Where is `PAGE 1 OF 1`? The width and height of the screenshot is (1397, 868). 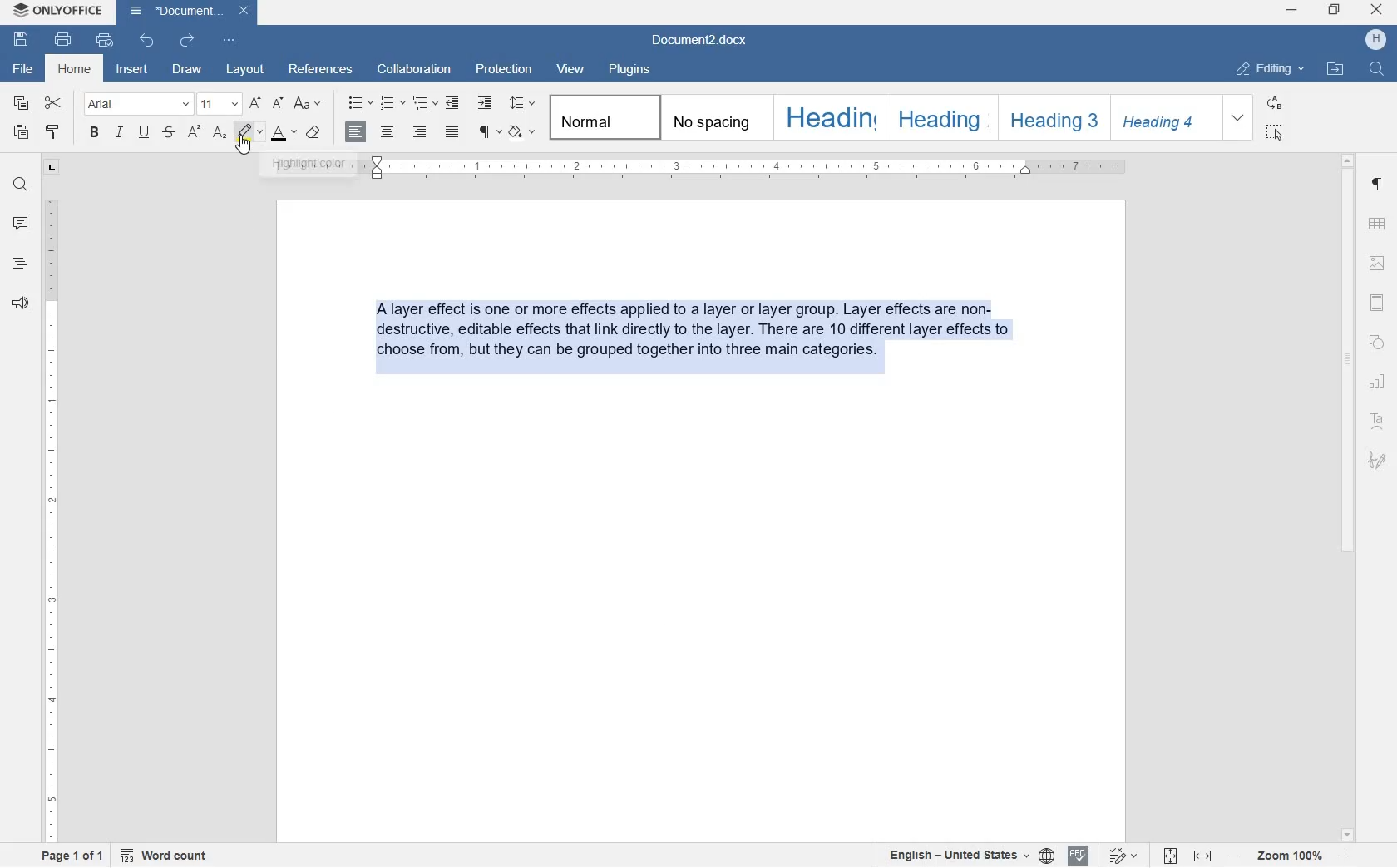 PAGE 1 OF 1 is located at coordinates (73, 856).